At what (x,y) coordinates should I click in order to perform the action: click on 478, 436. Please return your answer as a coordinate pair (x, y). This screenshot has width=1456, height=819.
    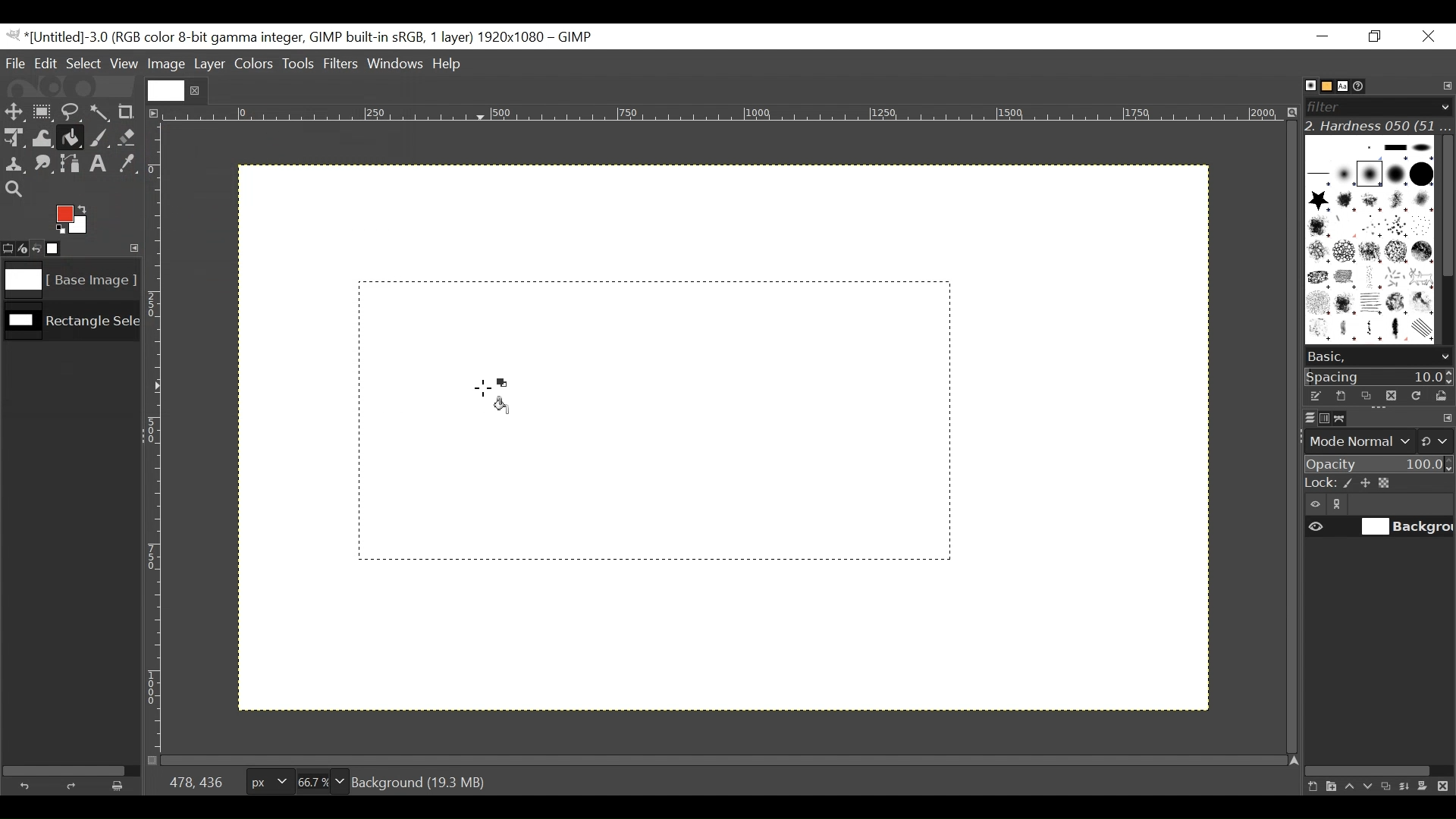
    Looking at the image, I should click on (193, 781).